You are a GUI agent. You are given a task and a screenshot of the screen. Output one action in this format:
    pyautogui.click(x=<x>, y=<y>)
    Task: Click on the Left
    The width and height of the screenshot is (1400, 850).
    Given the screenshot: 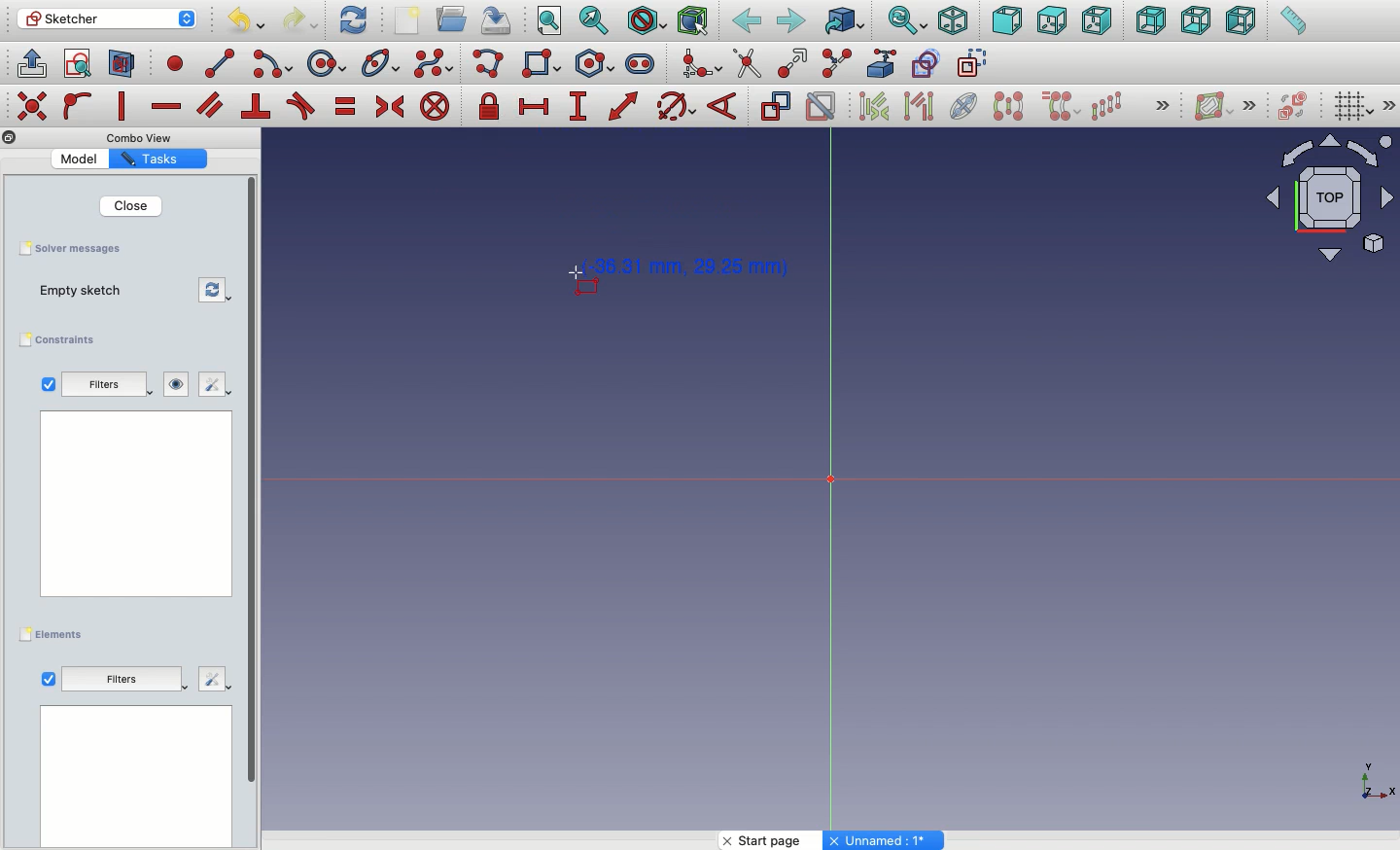 What is the action you would take?
    pyautogui.click(x=1240, y=21)
    